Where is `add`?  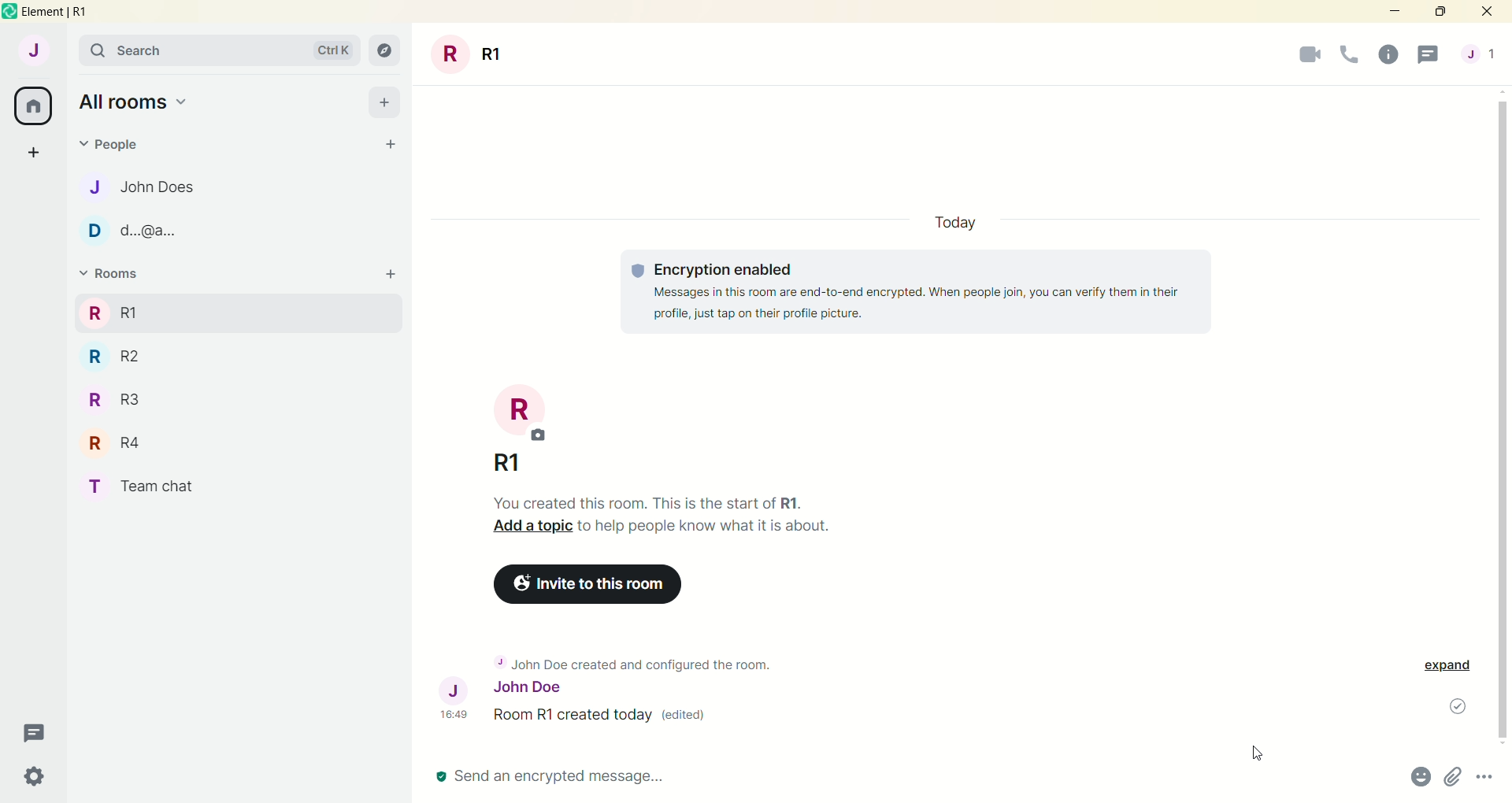
add is located at coordinates (386, 102).